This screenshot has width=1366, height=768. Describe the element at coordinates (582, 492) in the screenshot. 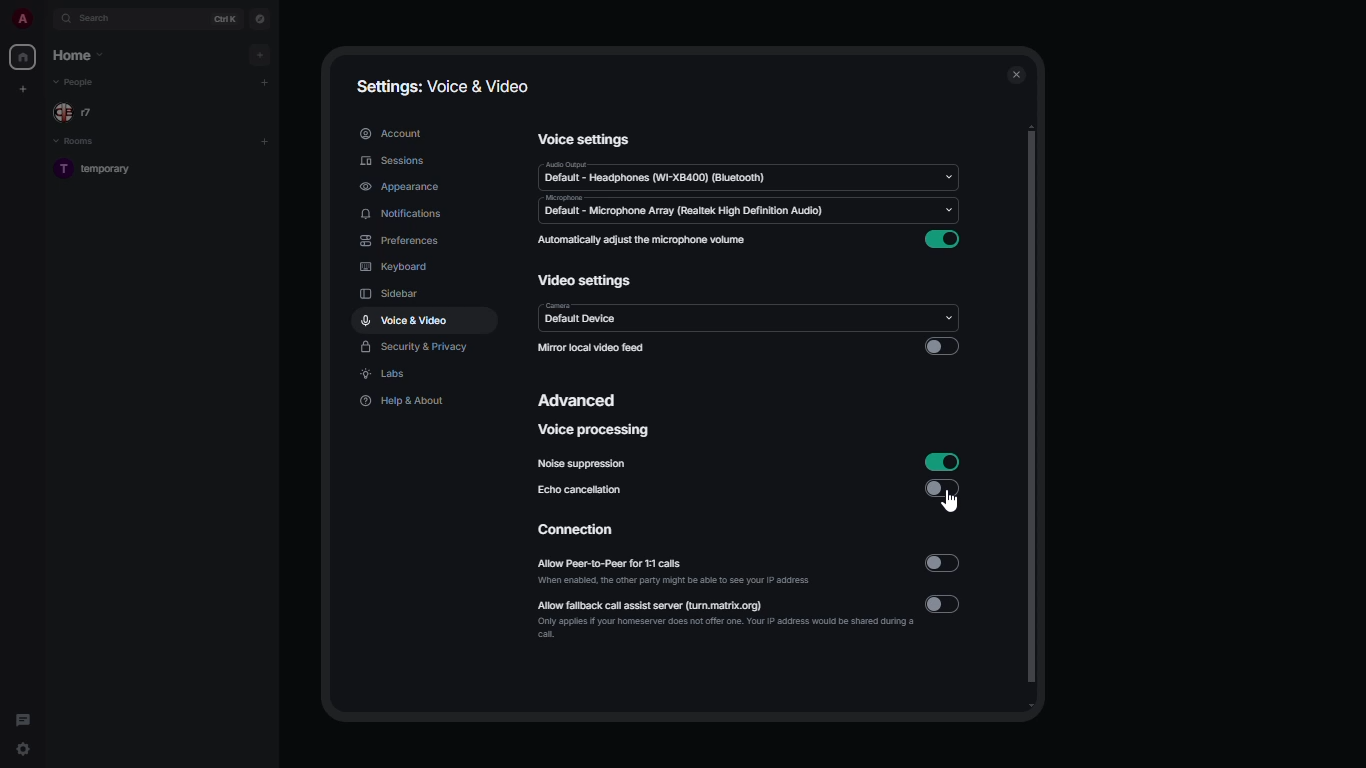

I see `echo cancellation` at that location.